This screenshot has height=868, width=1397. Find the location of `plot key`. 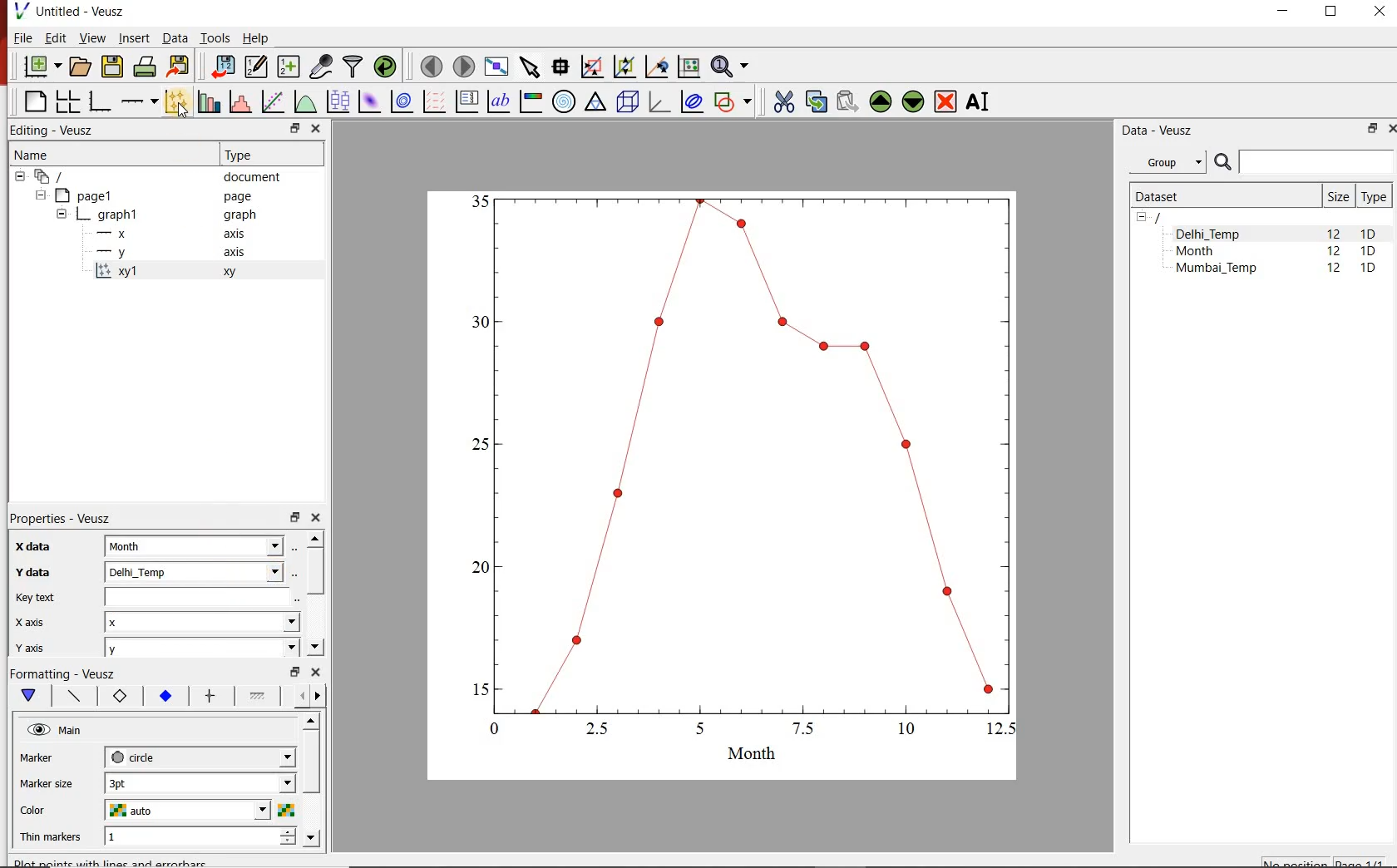

plot key is located at coordinates (466, 102).